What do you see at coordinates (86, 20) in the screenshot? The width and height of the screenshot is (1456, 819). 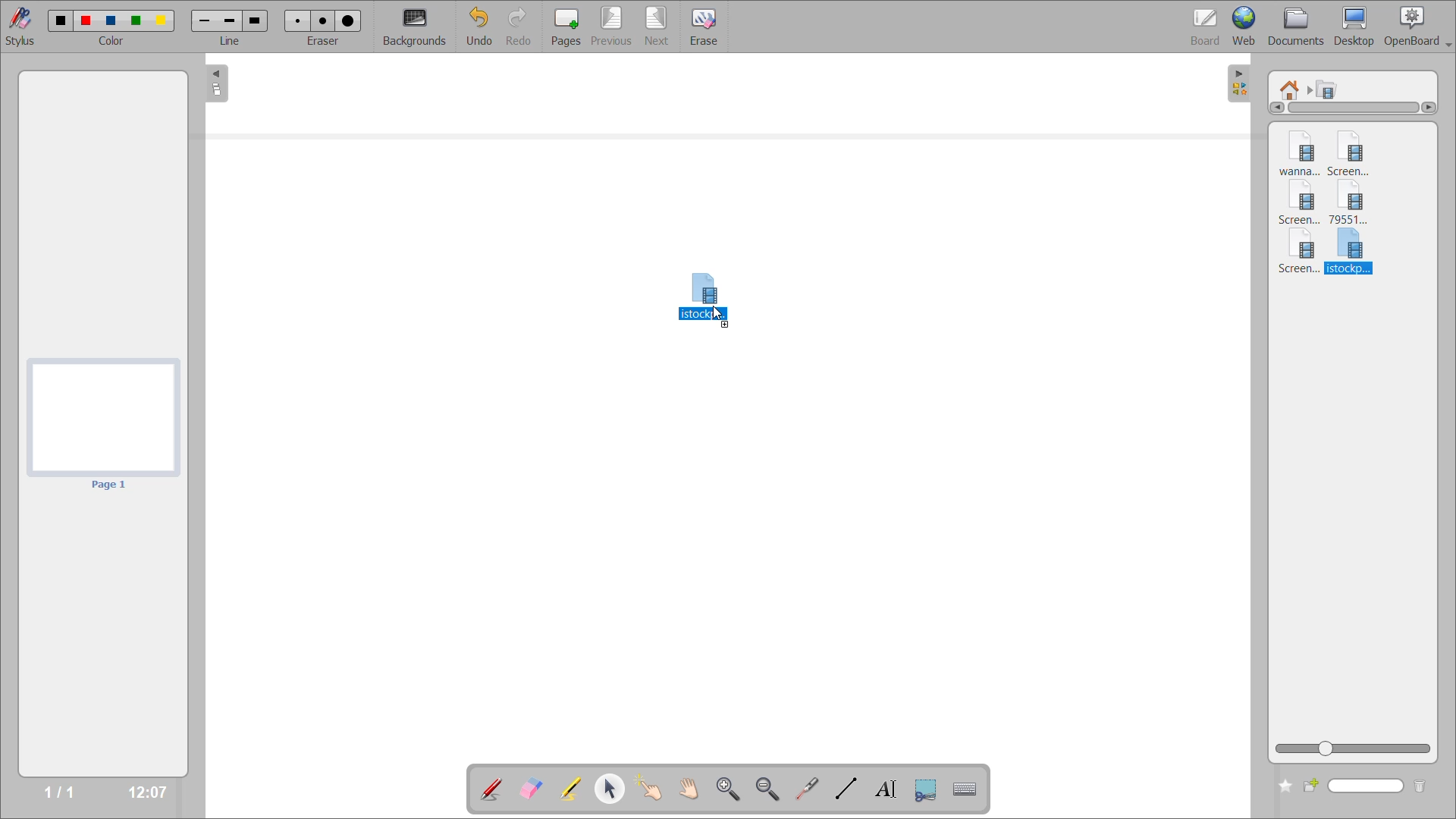 I see `color 2` at bounding box center [86, 20].